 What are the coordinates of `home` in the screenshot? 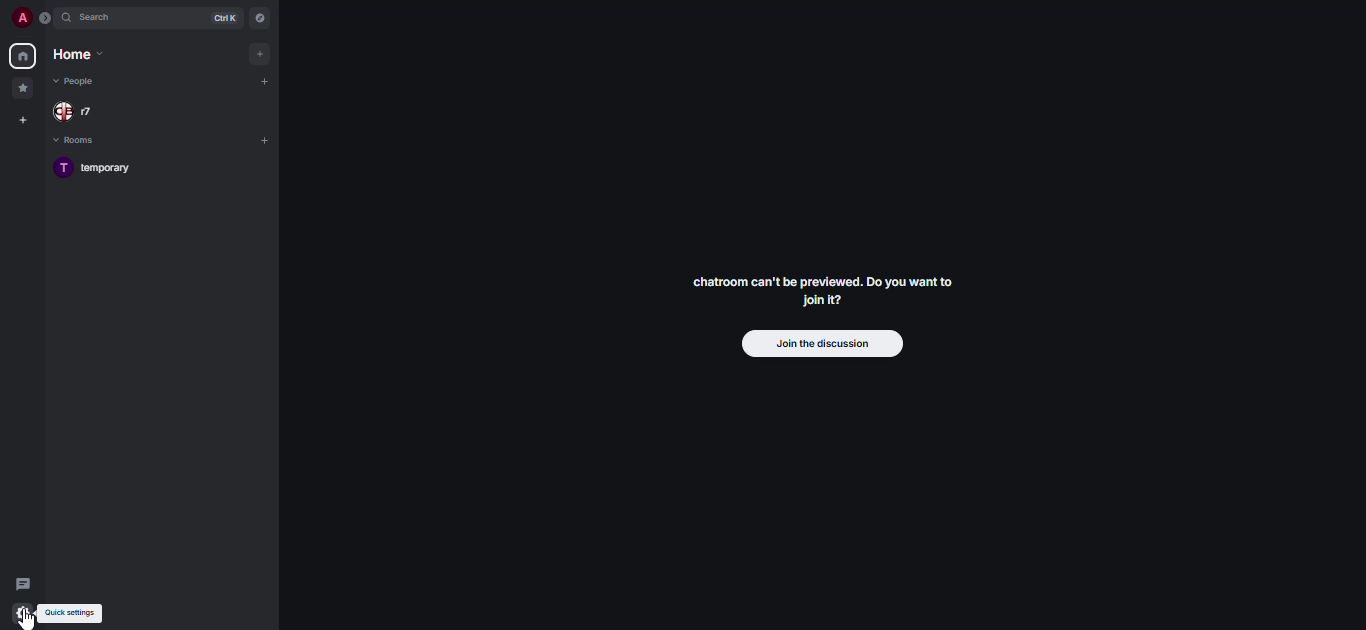 It's located at (22, 56).